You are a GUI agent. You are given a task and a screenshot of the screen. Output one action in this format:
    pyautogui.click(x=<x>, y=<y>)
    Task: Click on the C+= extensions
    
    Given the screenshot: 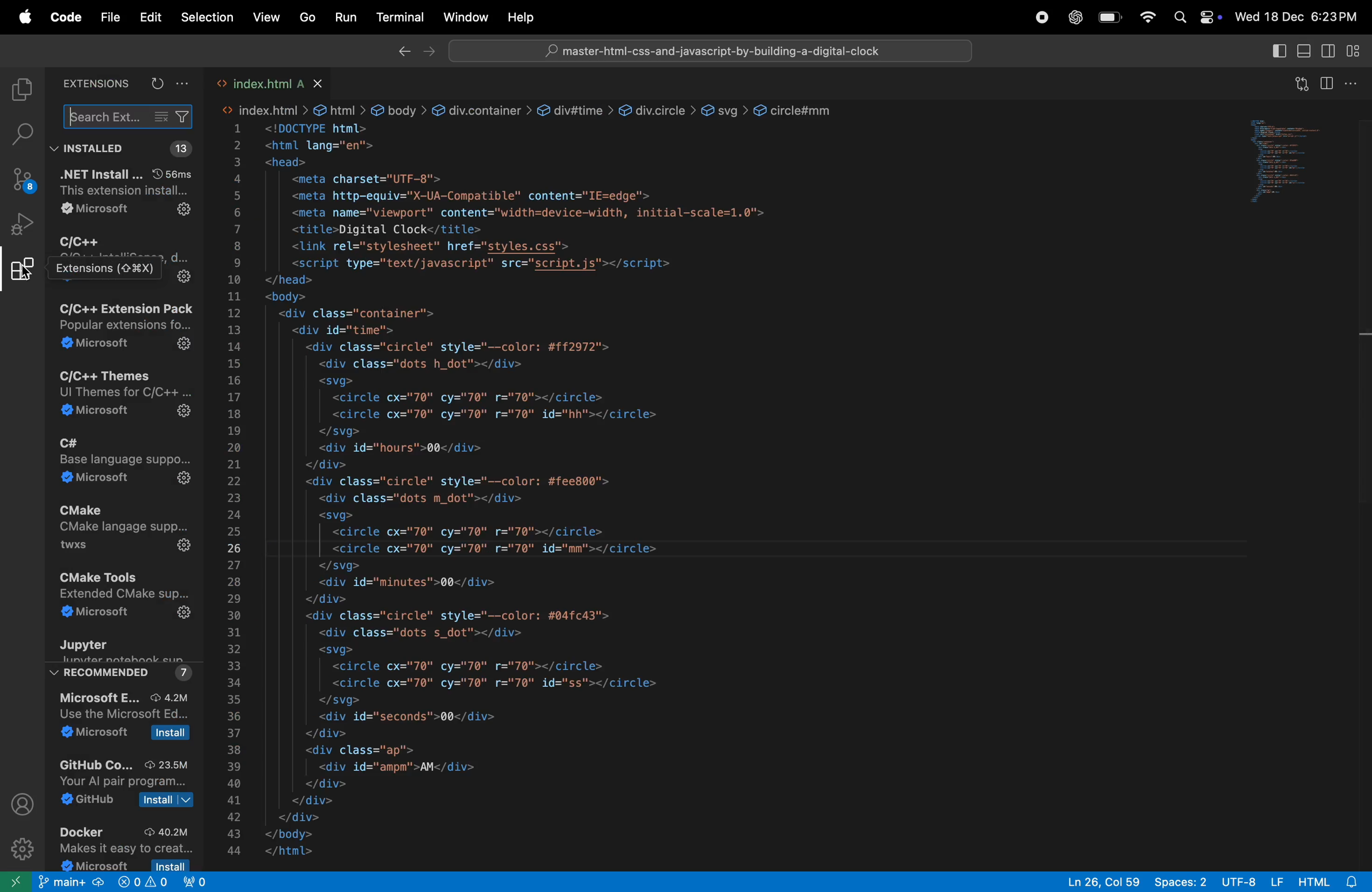 What is the action you would take?
    pyautogui.click(x=121, y=259)
    